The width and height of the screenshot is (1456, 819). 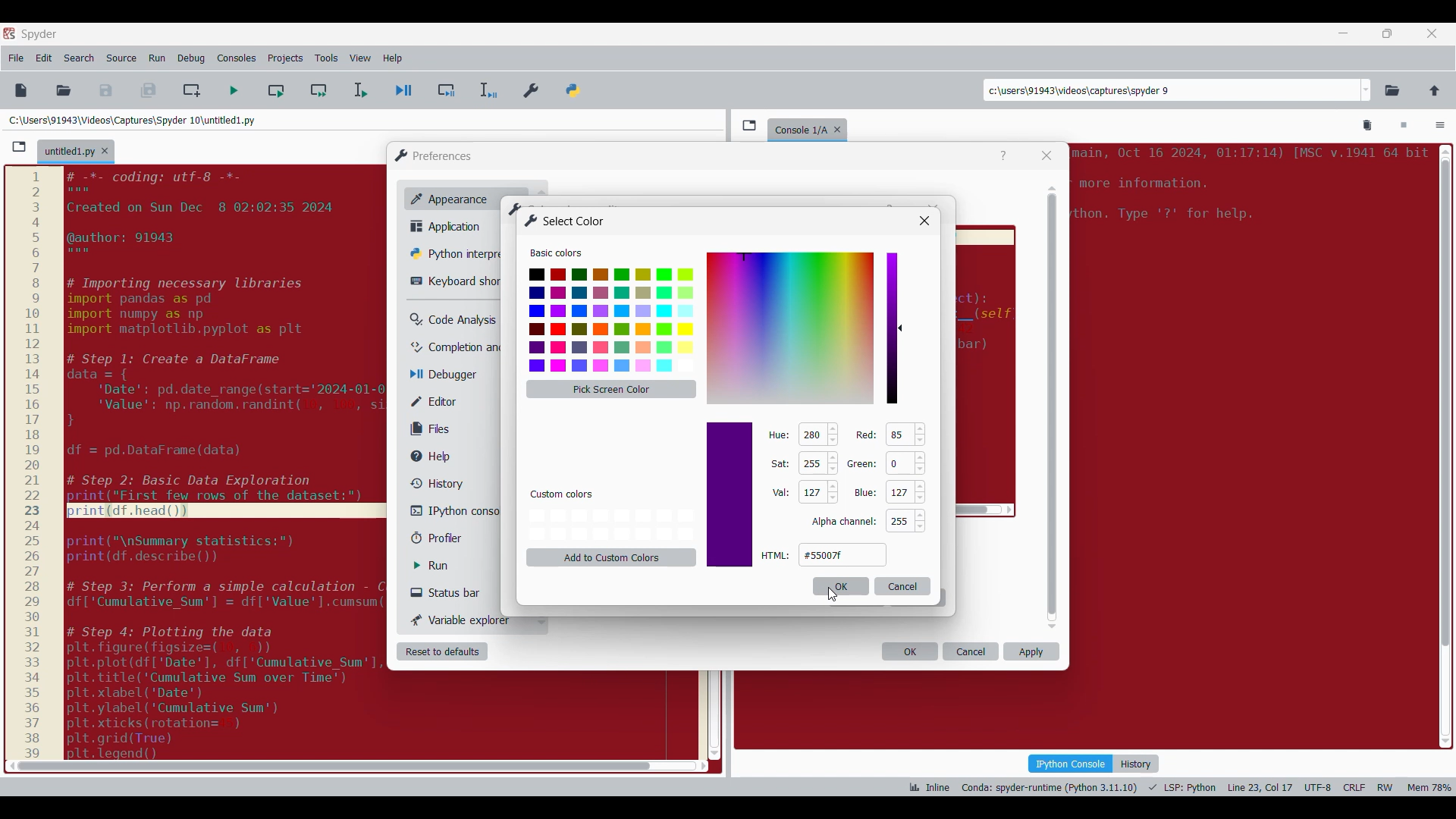 What do you see at coordinates (107, 90) in the screenshot?
I see `Save file` at bounding box center [107, 90].